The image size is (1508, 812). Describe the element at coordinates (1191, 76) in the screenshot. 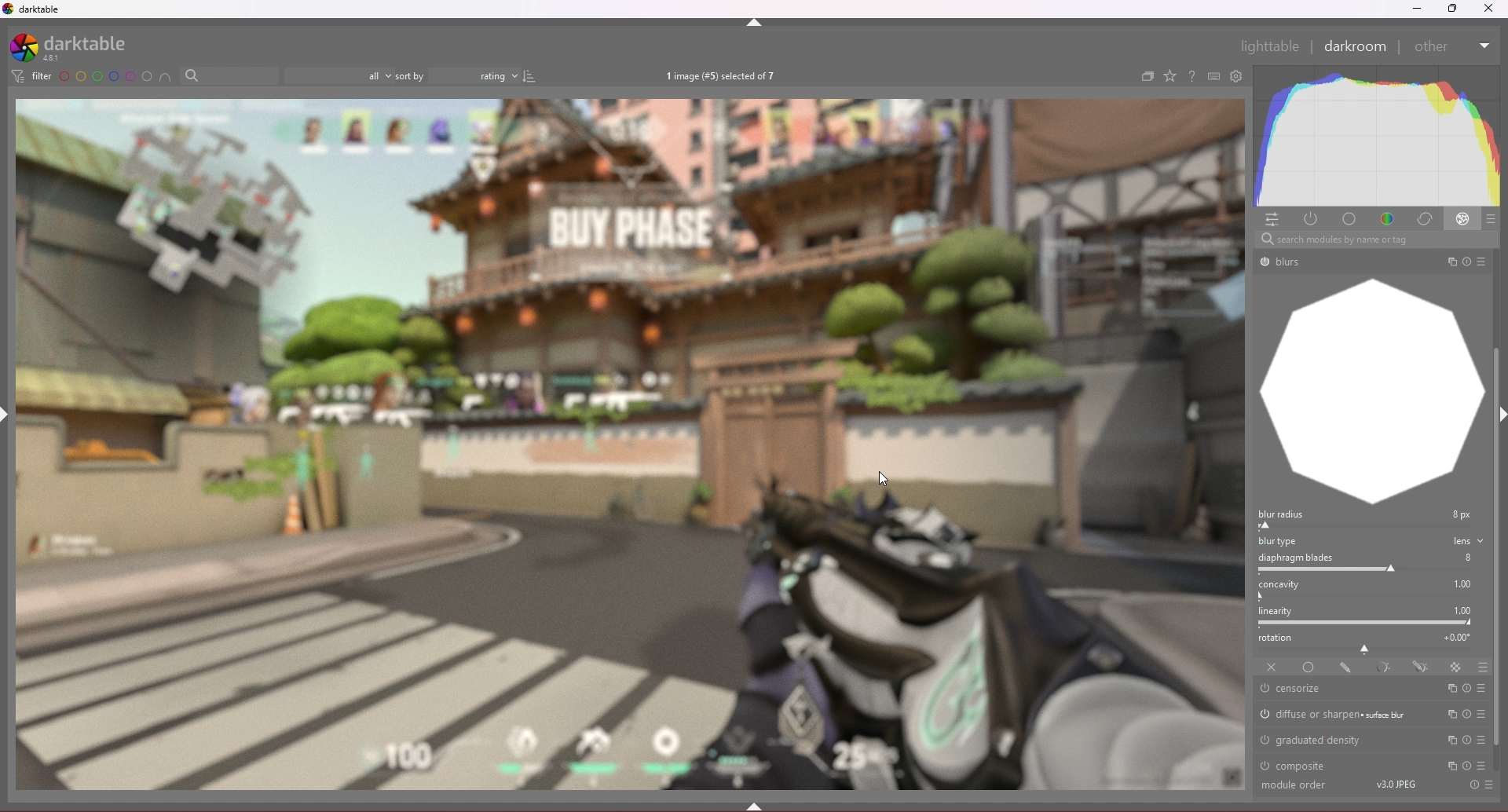

I see `help` at that location.